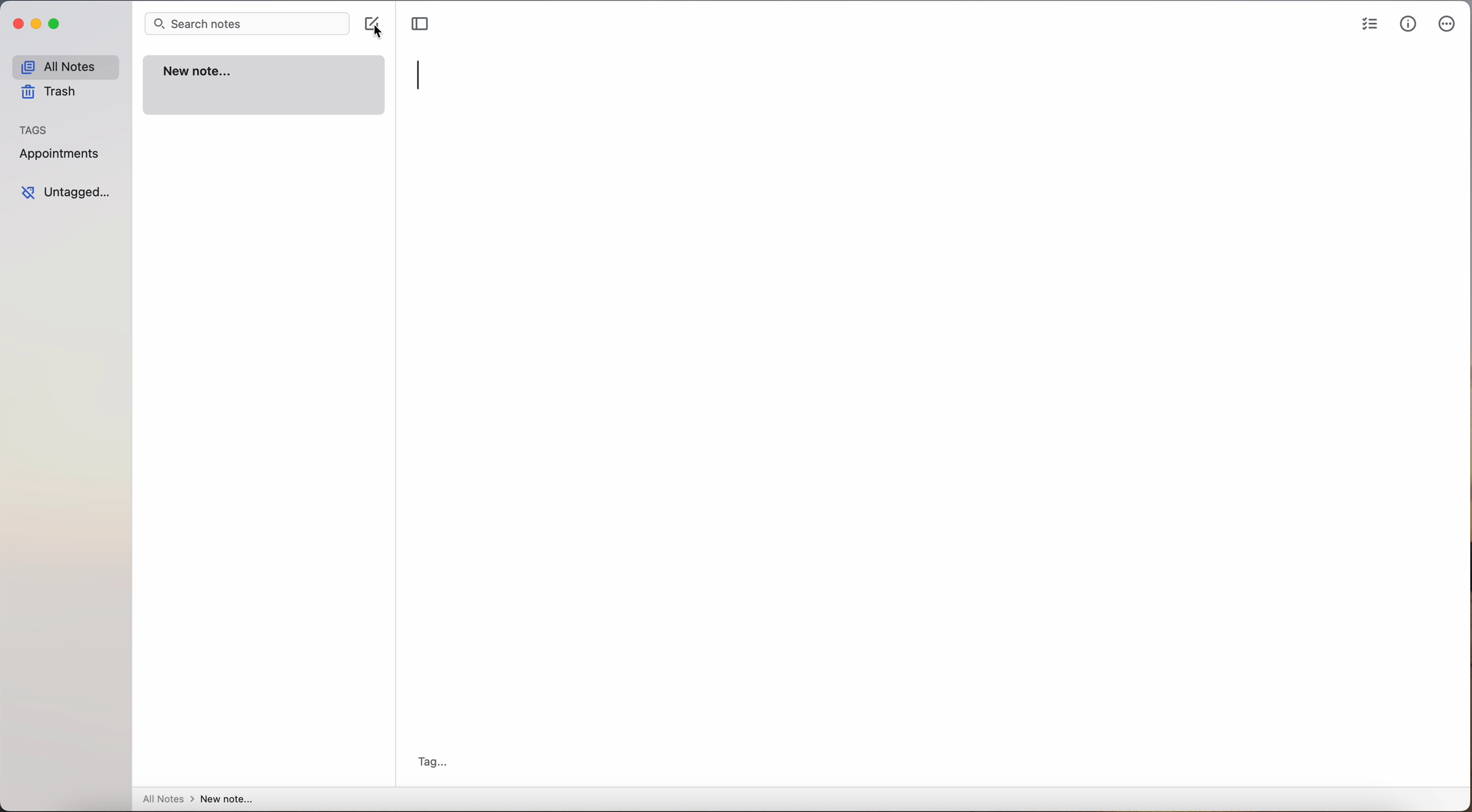 The image size is (1472, 812). I want to click on toggle sidebar, so click(419, 25).